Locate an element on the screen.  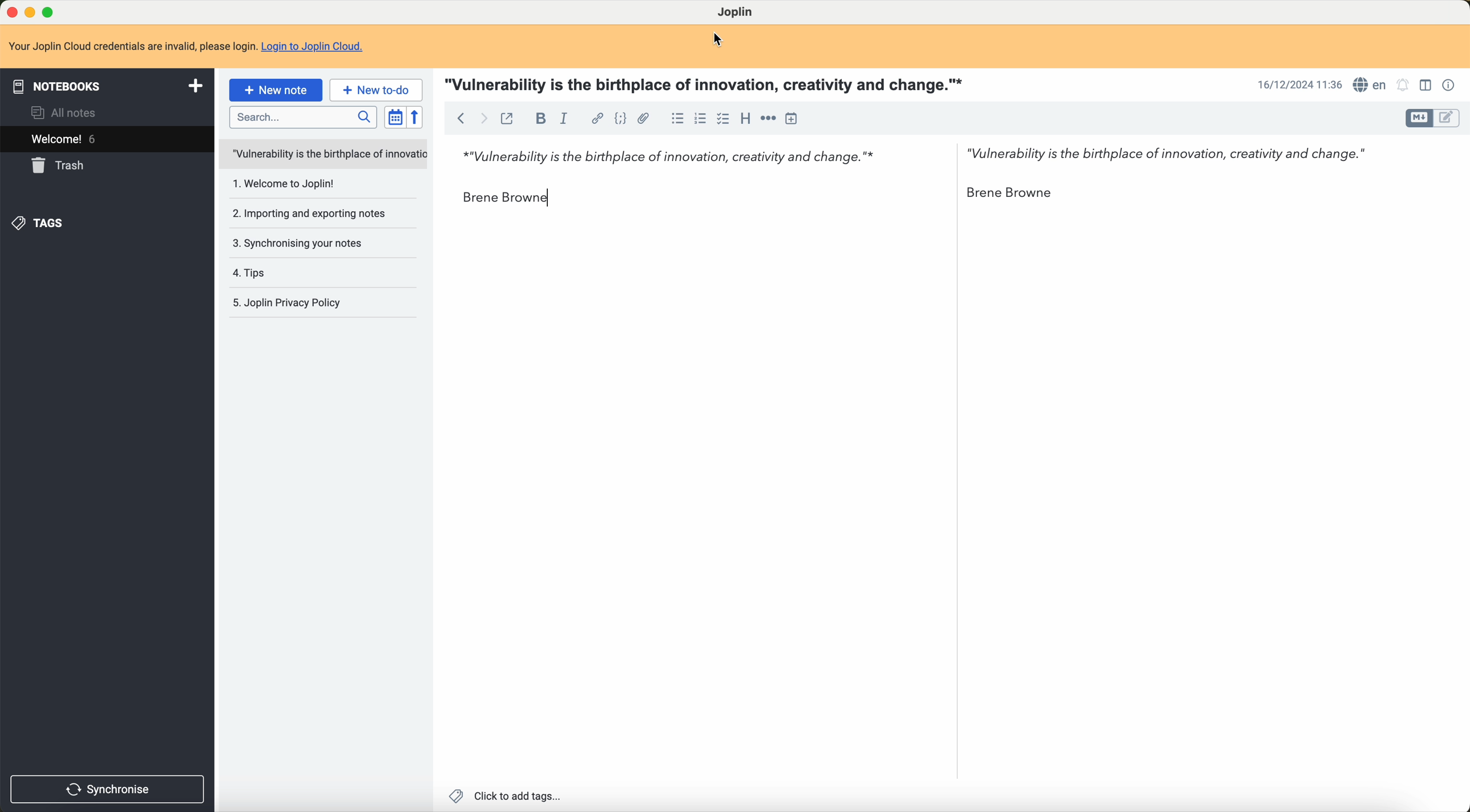
5.Joplin privacy policy is located at coordinates (293, 302).